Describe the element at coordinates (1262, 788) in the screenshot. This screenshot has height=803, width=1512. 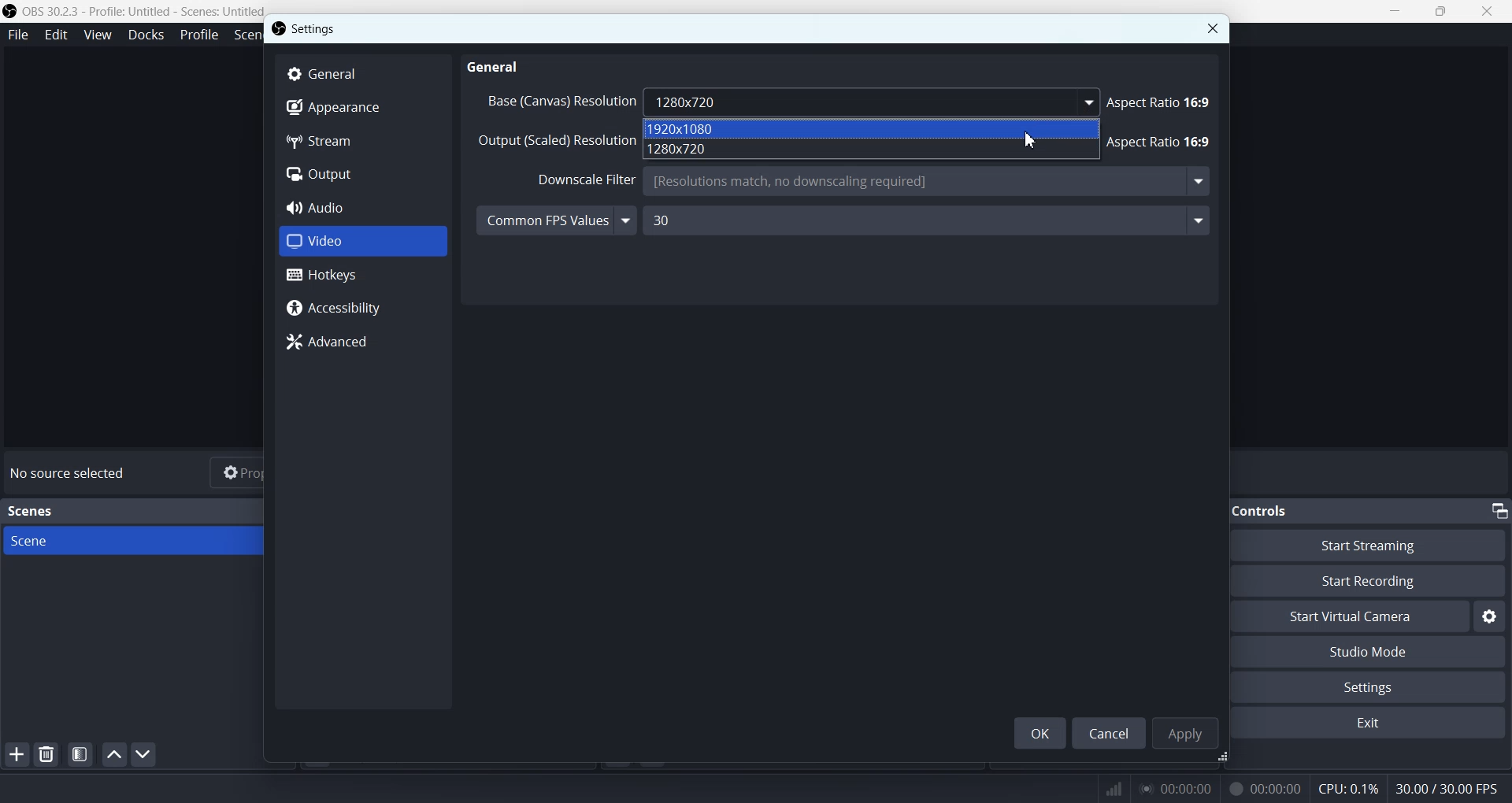
I see `recording time` at that location.